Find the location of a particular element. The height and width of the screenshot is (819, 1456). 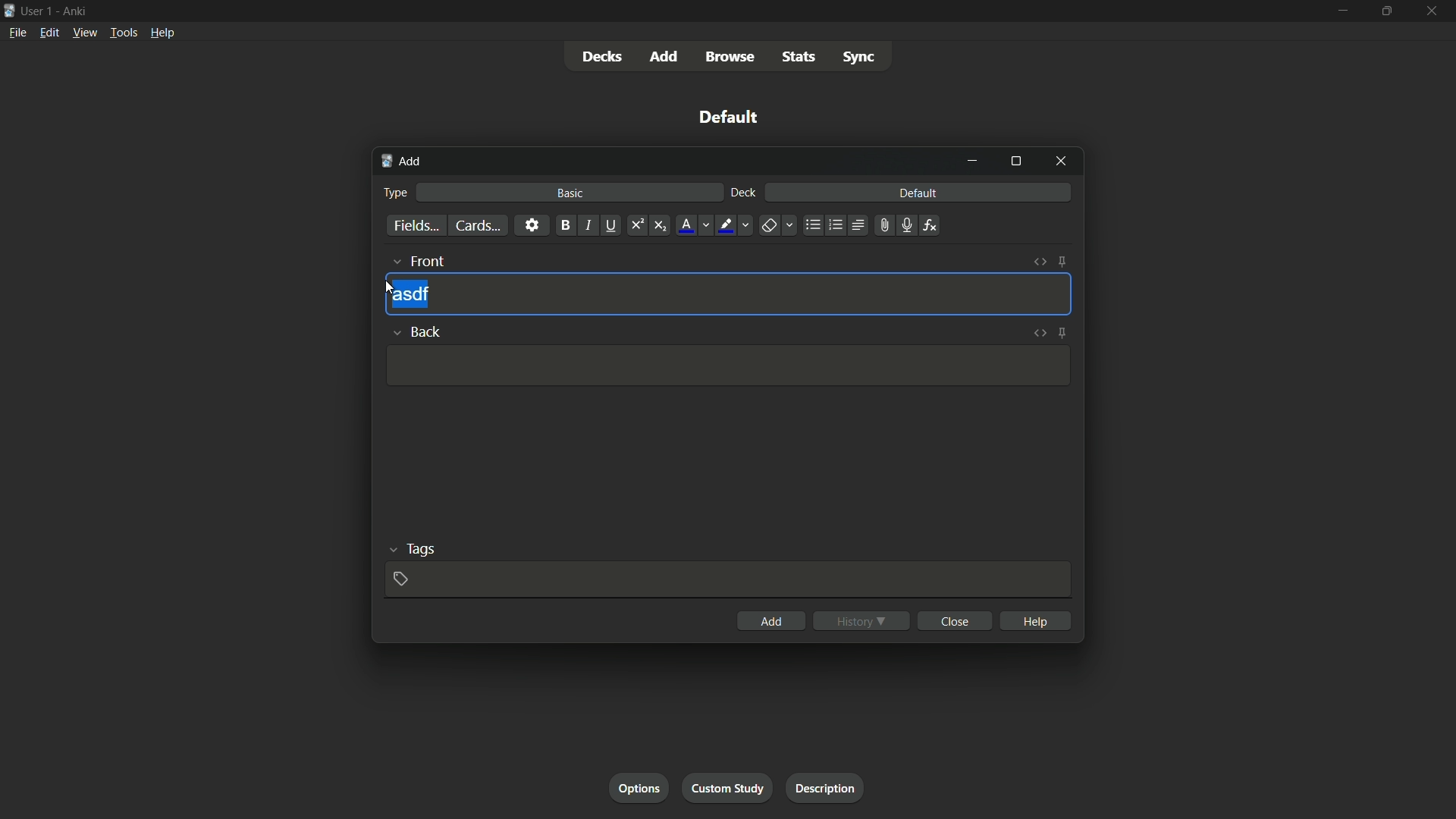

font color is located at coordinates (693, 225).